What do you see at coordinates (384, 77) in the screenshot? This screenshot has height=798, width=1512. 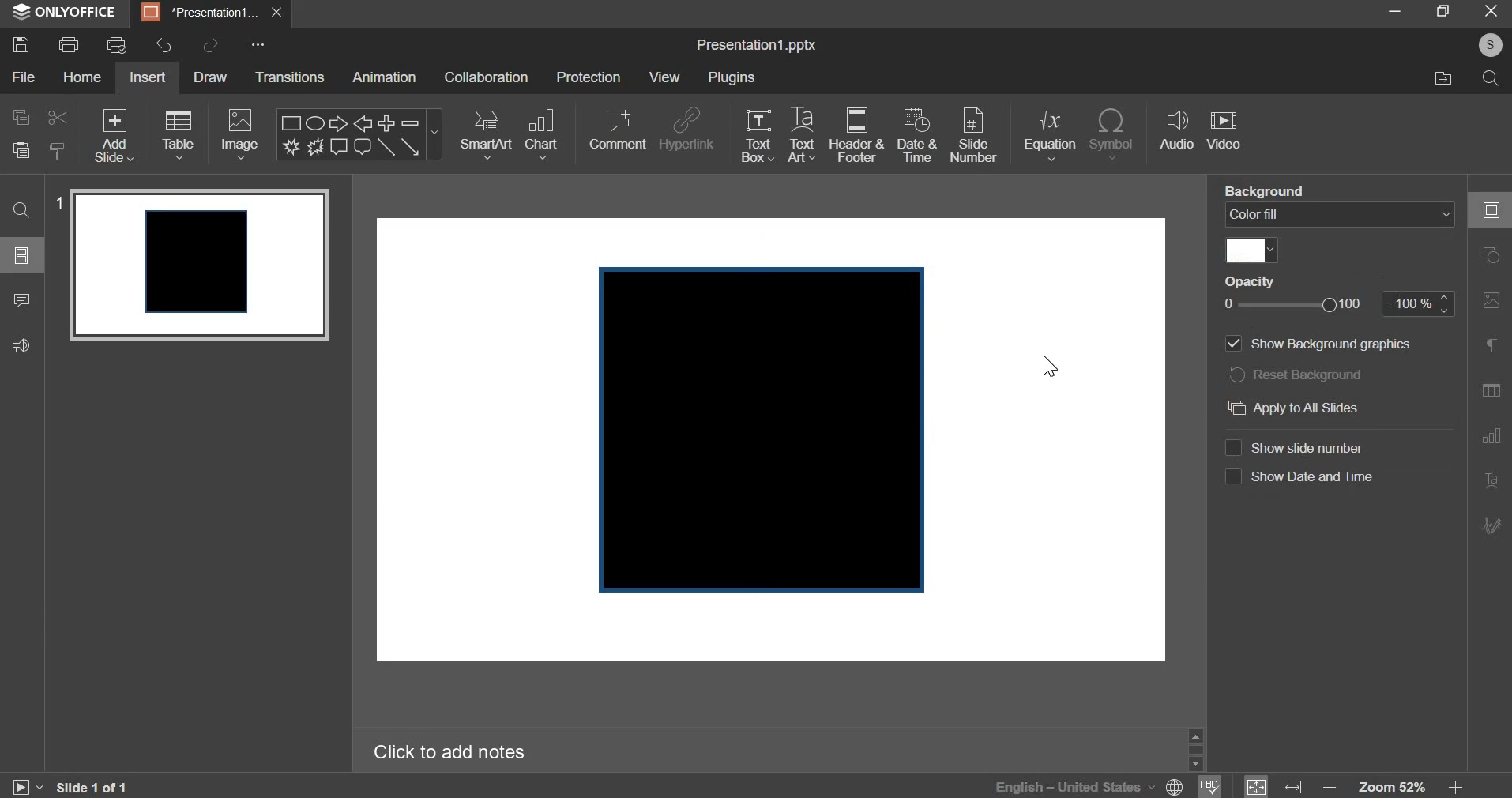 I see `animation` at bounding box center [384, 77].